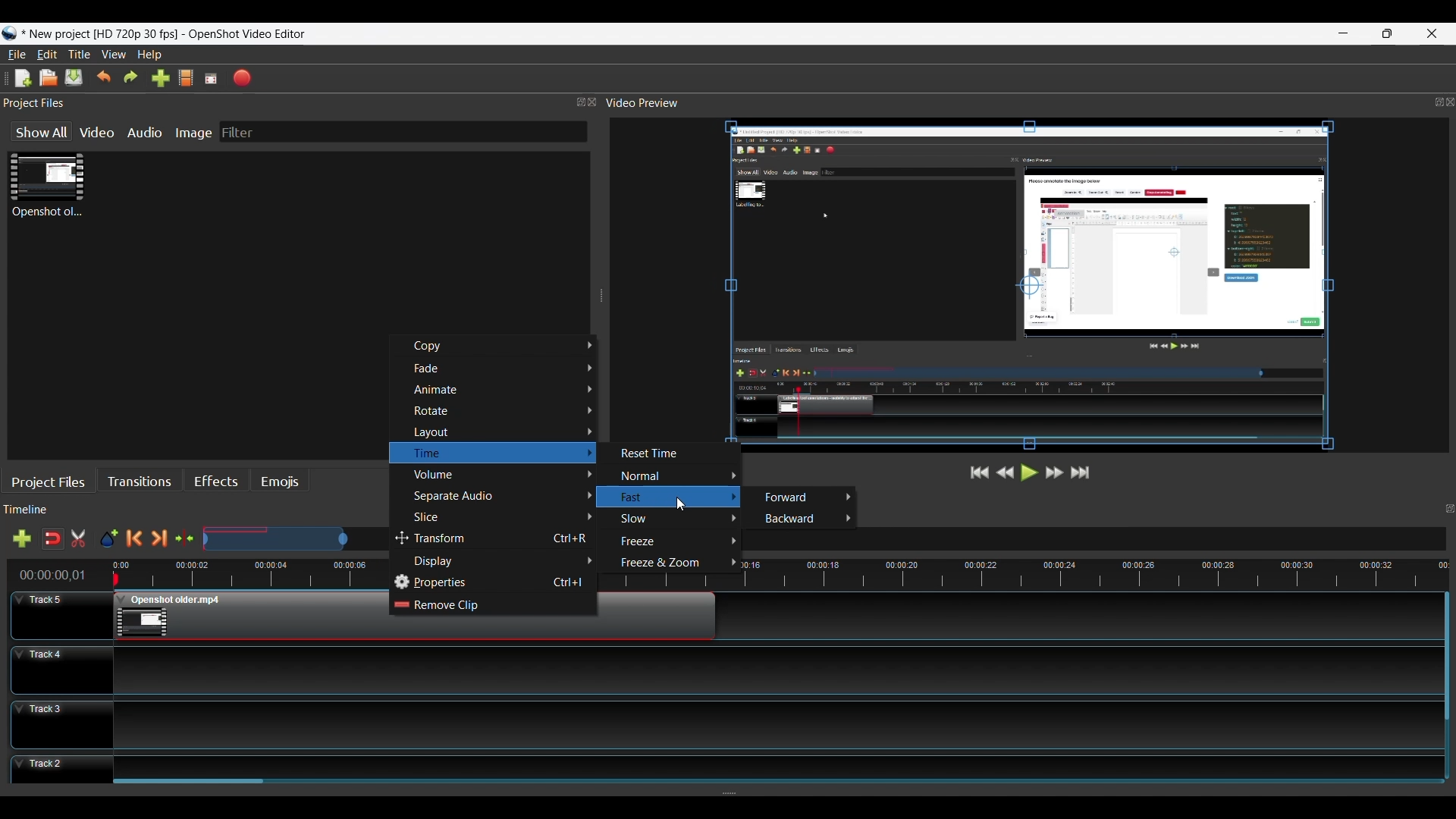 Image resolution: width=1456 pixels, height=819 pixels. What do you see at coordinates (47, 55) in the screenshot?
I see `Edit` at bounding box center [47, 55].